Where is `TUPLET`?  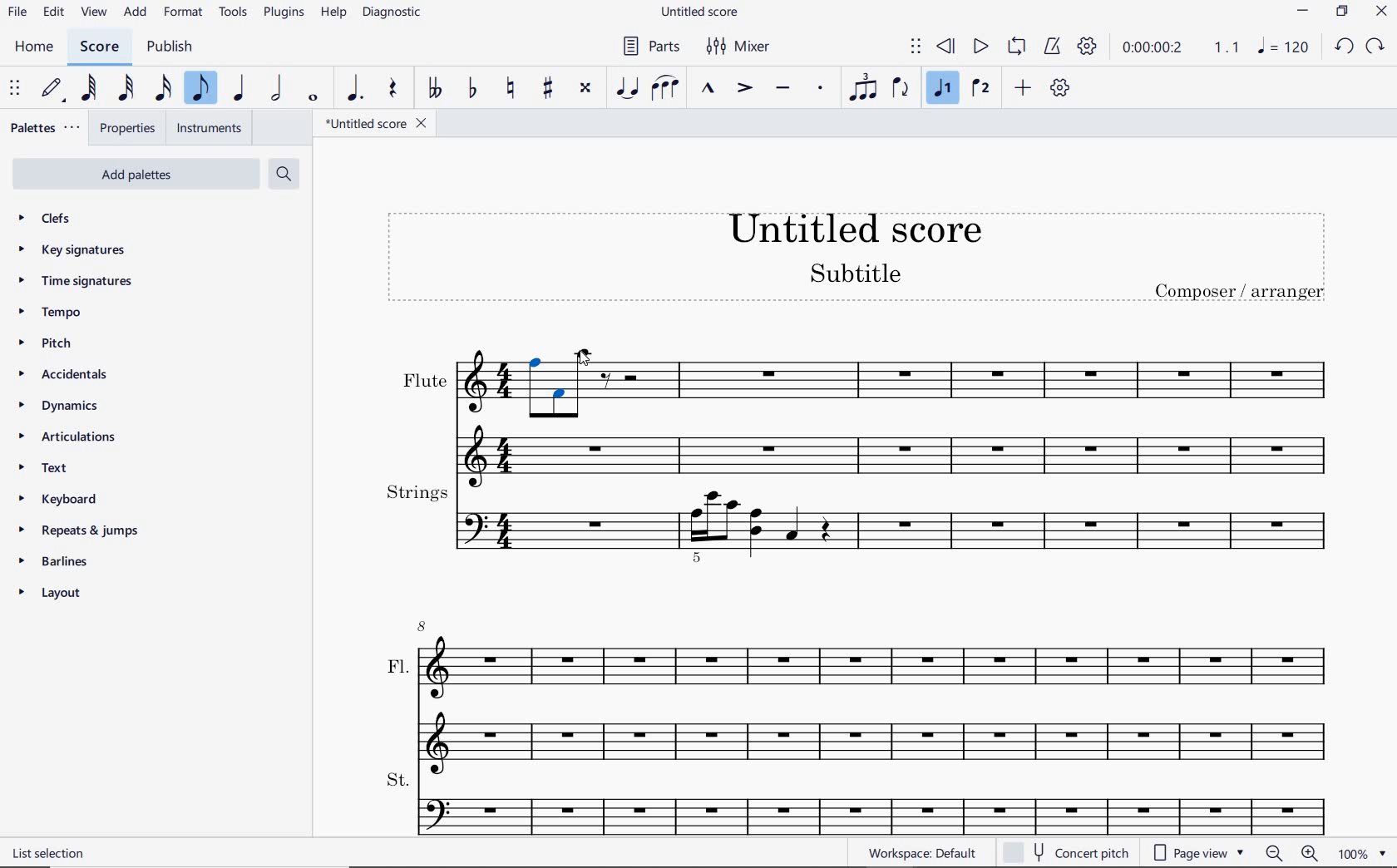
TUPLET is located at coordinates (861, 86).